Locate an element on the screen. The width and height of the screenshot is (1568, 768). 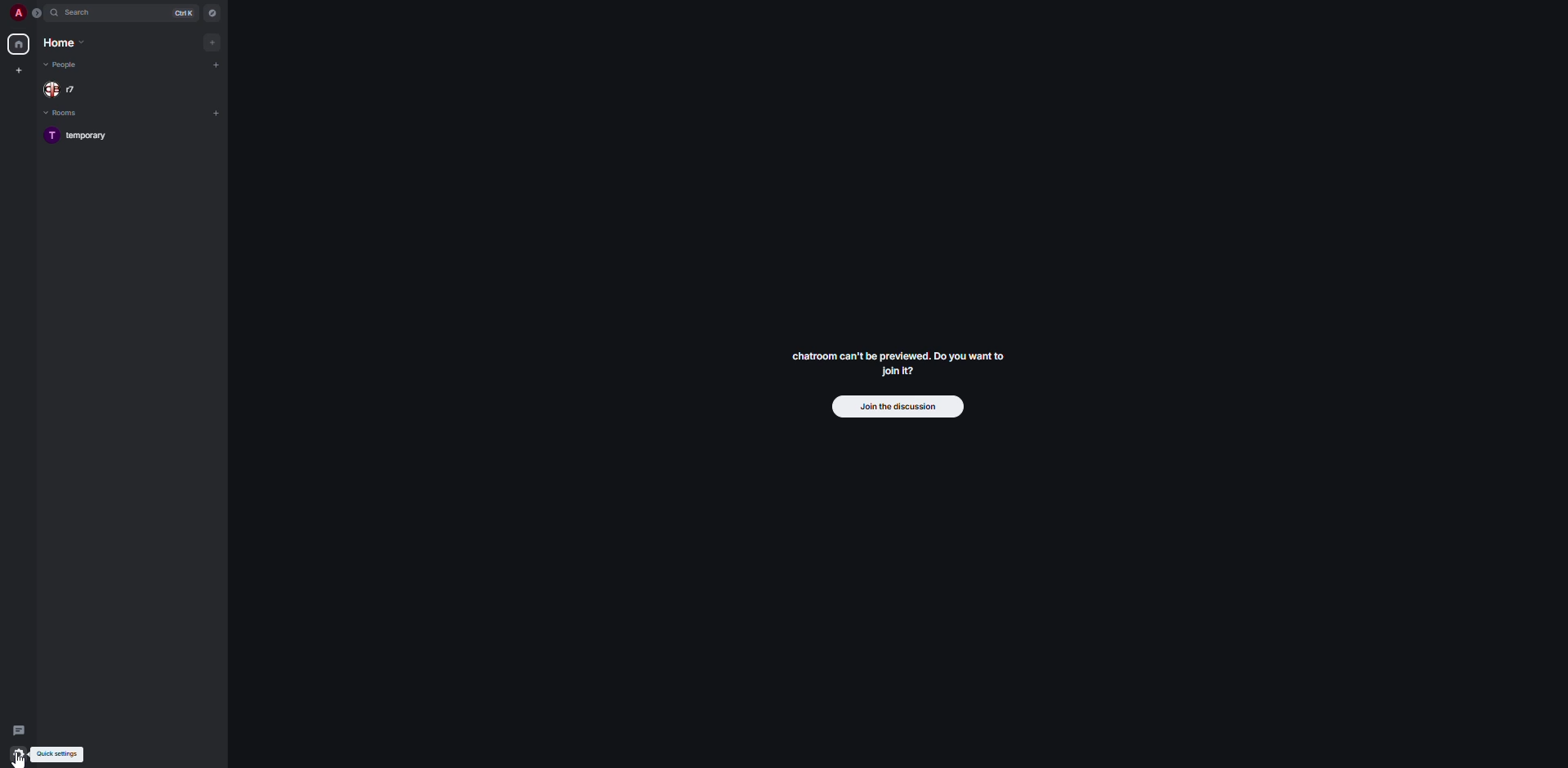
people is located at coordinates (64, 89).